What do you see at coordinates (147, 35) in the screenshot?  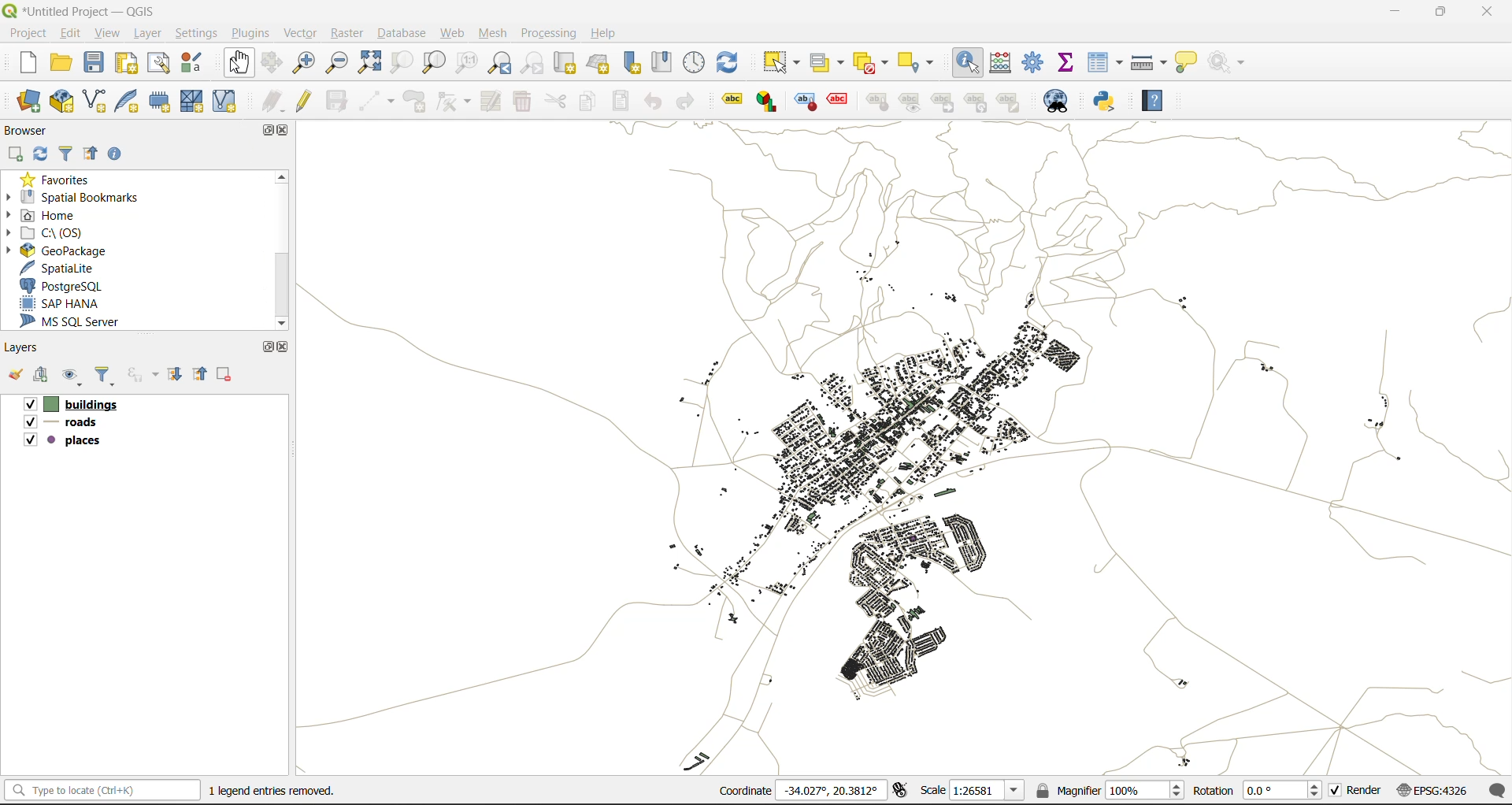 I see `layer` at bounding box center [147, 35].